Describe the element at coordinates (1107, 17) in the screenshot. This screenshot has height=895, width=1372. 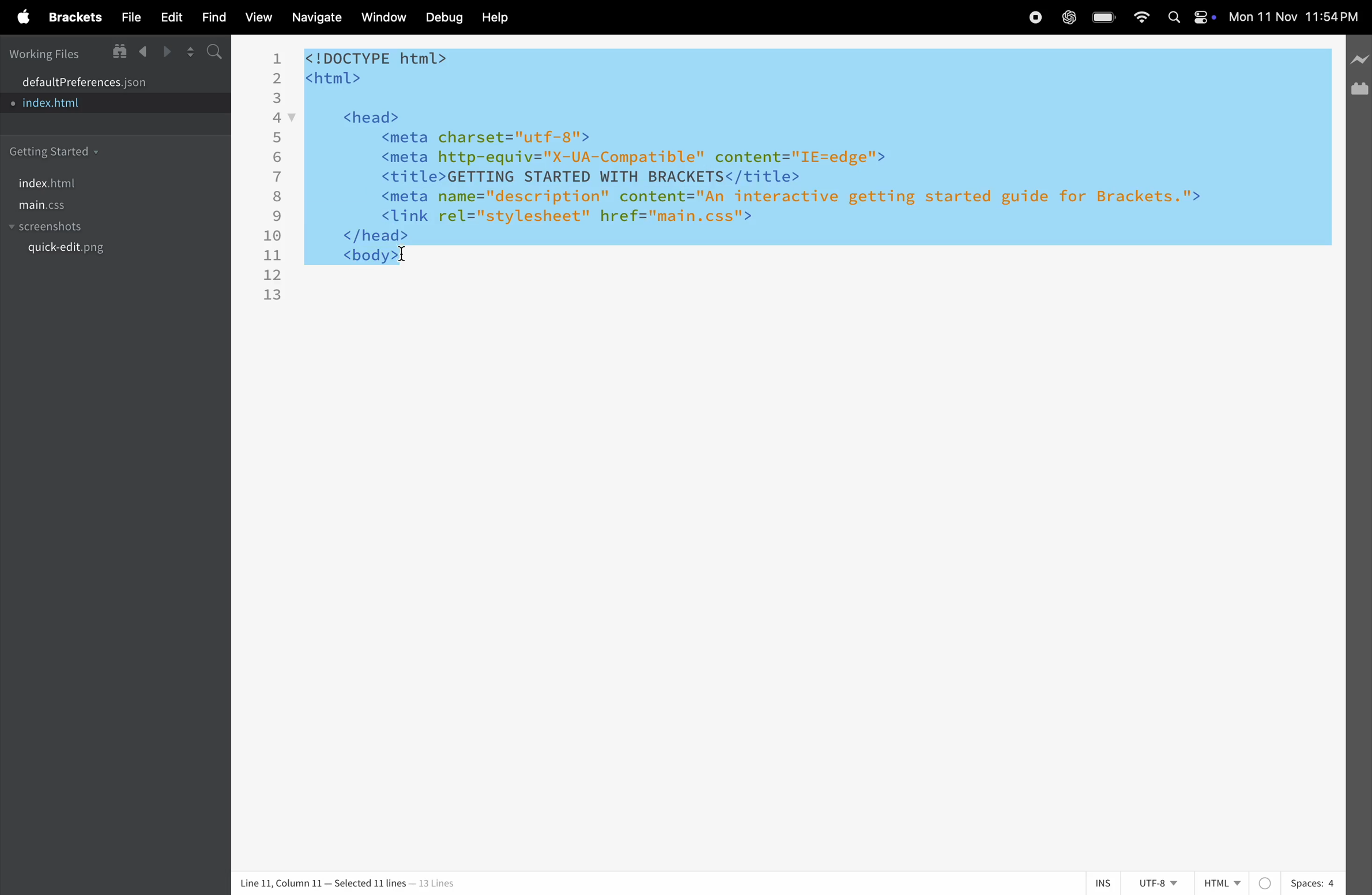
I see `battery` at that location.